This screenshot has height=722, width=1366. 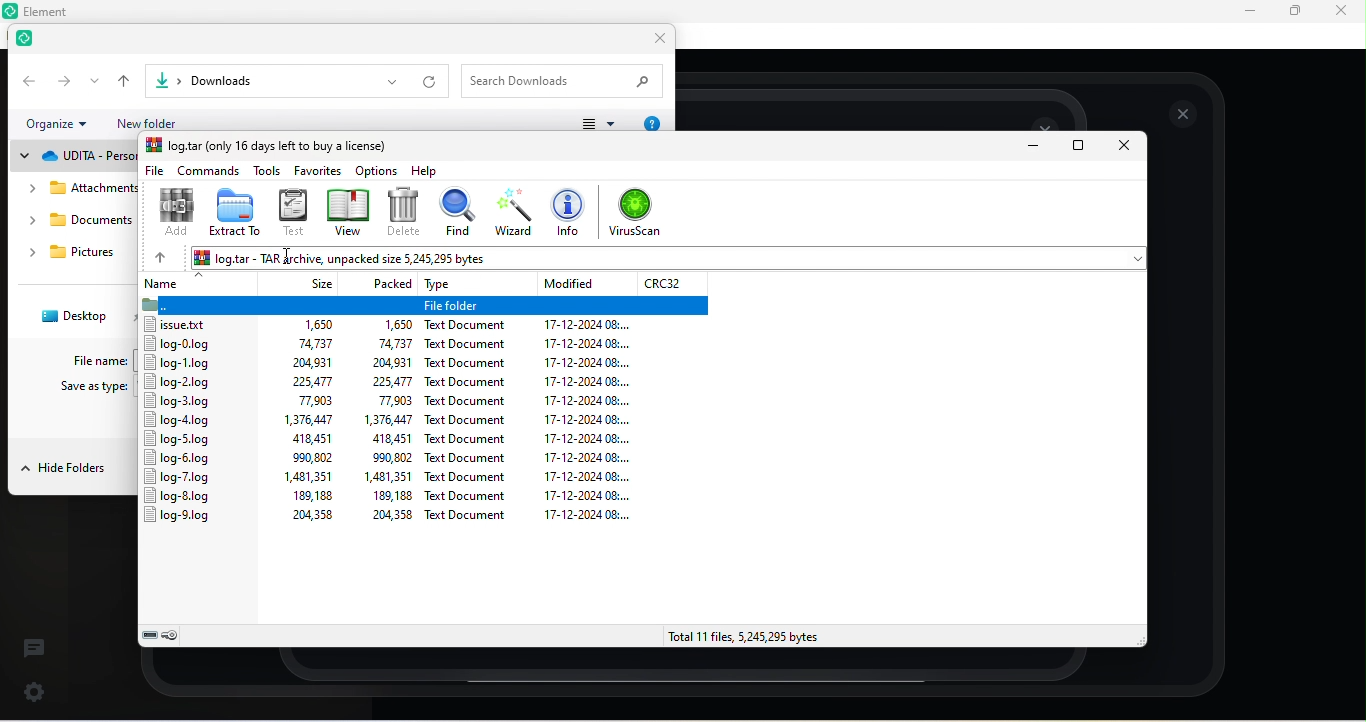 I want to click on log tar(only 16 days left to buy a license), so click(x=273, y=143).